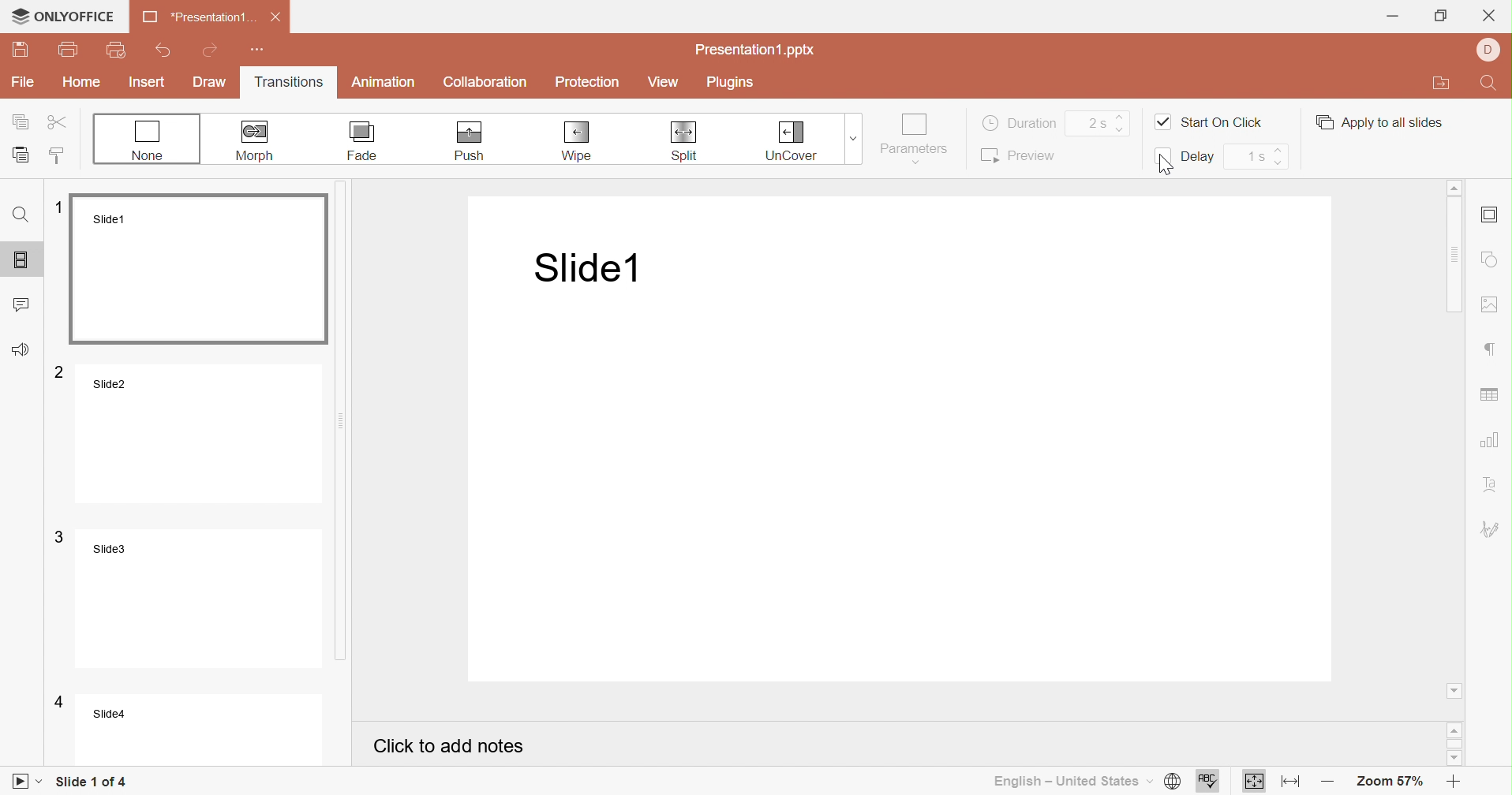 The height and width of the screenshot is (795, 1512). Describe the element at coordinates (25, 82) in the screenshot. I see `File` at that location.